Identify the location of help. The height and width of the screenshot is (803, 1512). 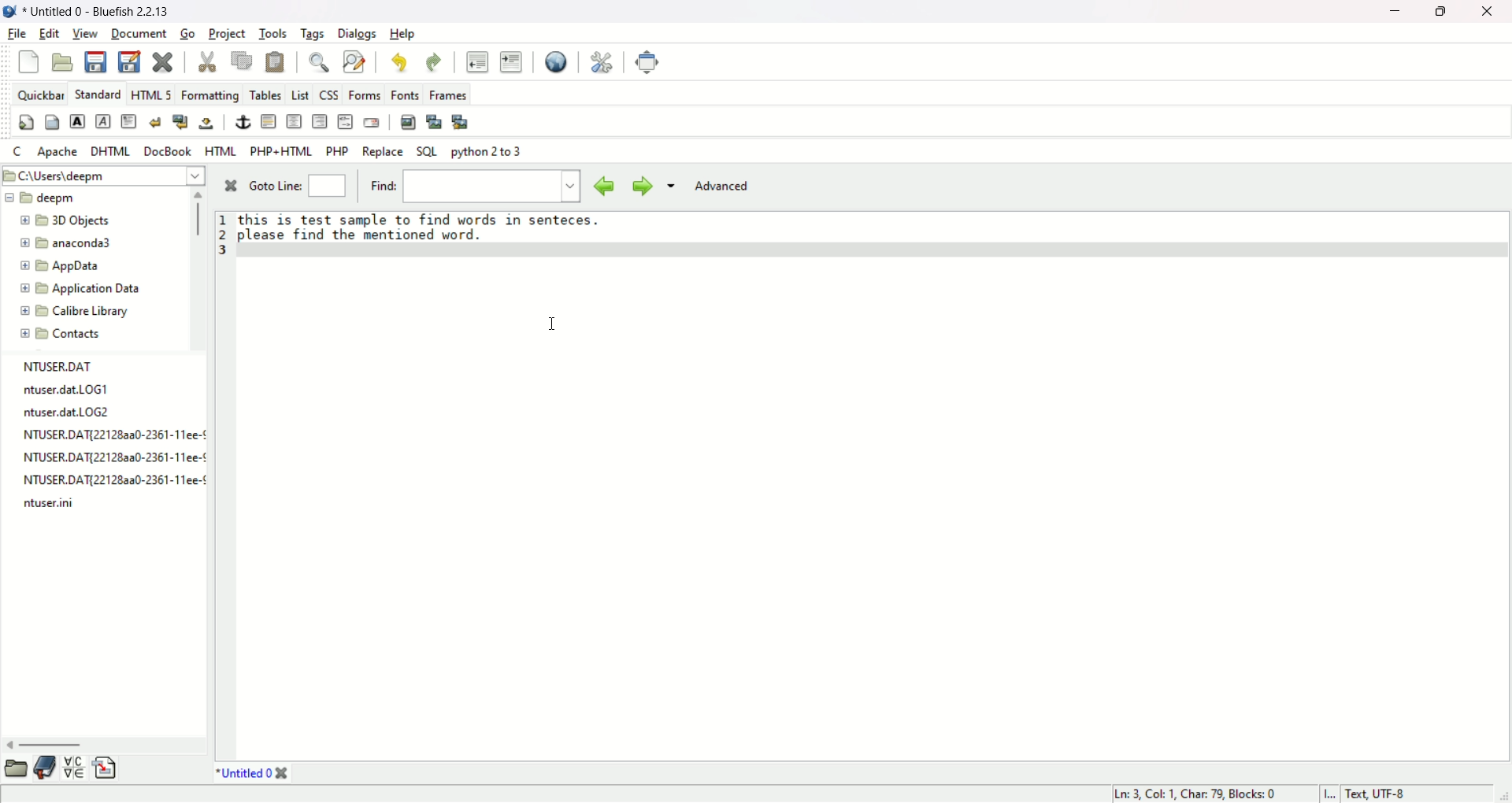
(403, 34).